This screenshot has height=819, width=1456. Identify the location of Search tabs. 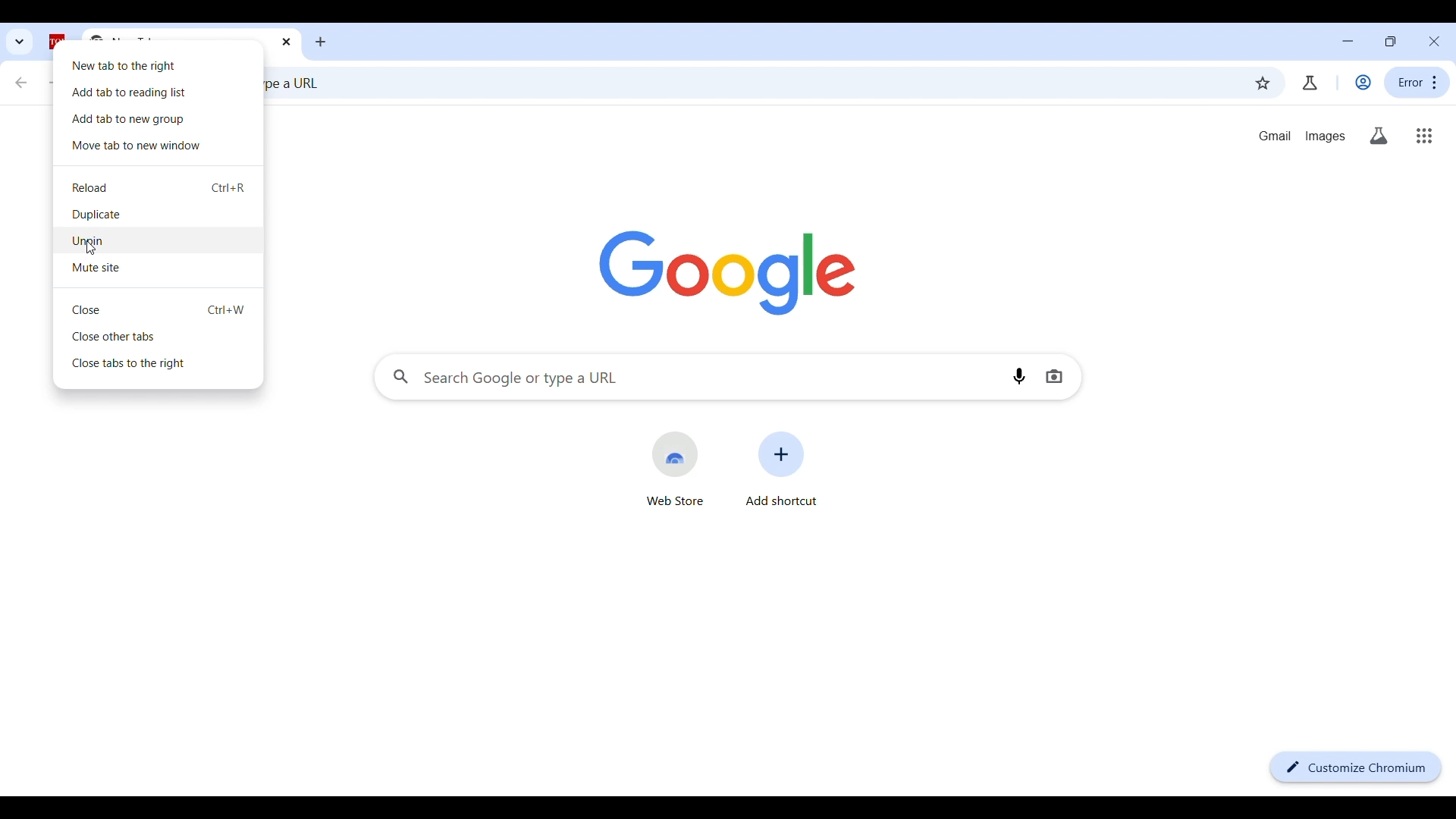
(20, 42).